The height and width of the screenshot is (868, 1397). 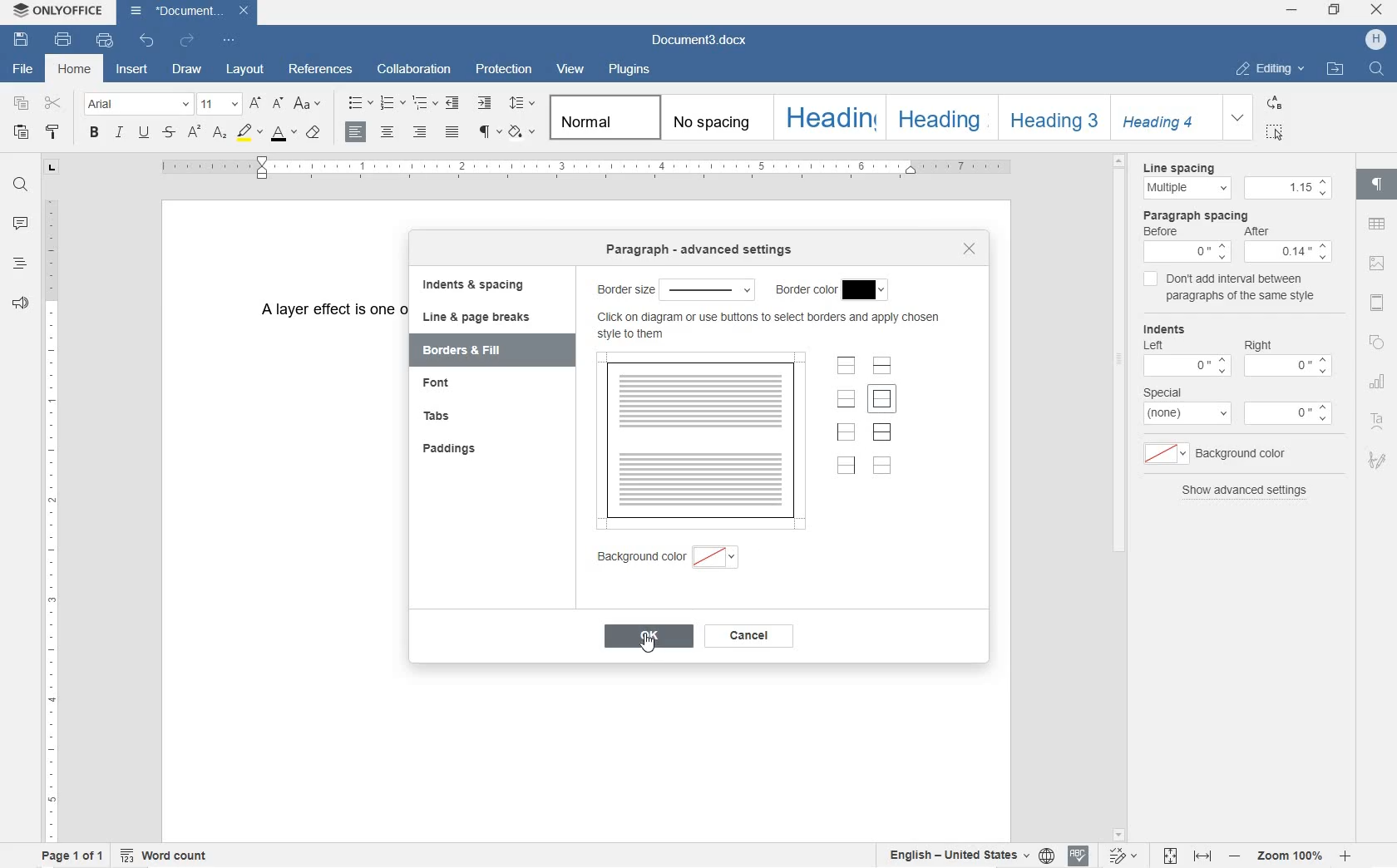 I want to click on SUPERSCRIPT, so click(x=193, y=132).